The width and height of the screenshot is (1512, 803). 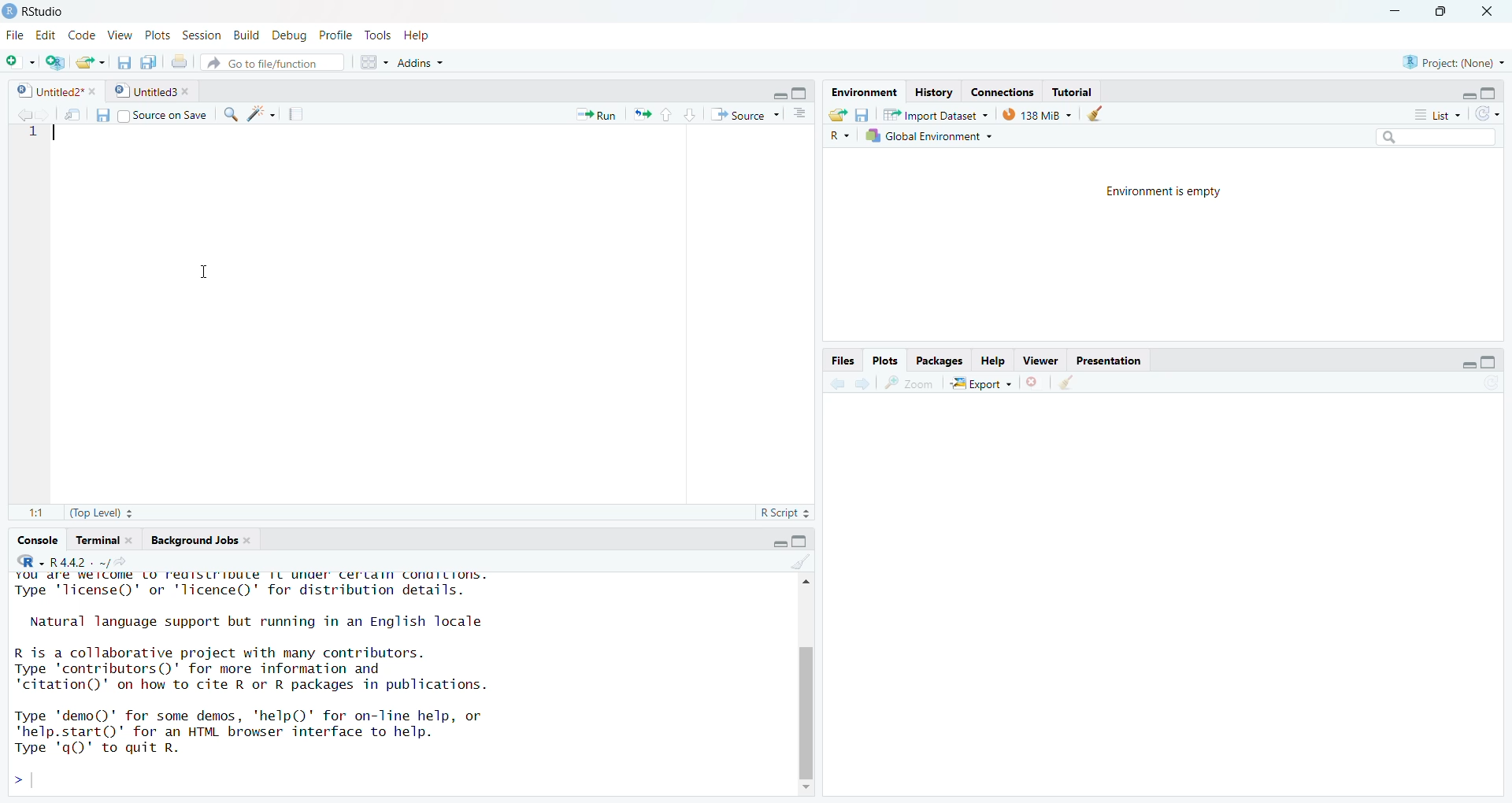 What do you see at coordinates (55, 59) in the screenshot?
I see `Change Project` at bounding box center [55, 59].